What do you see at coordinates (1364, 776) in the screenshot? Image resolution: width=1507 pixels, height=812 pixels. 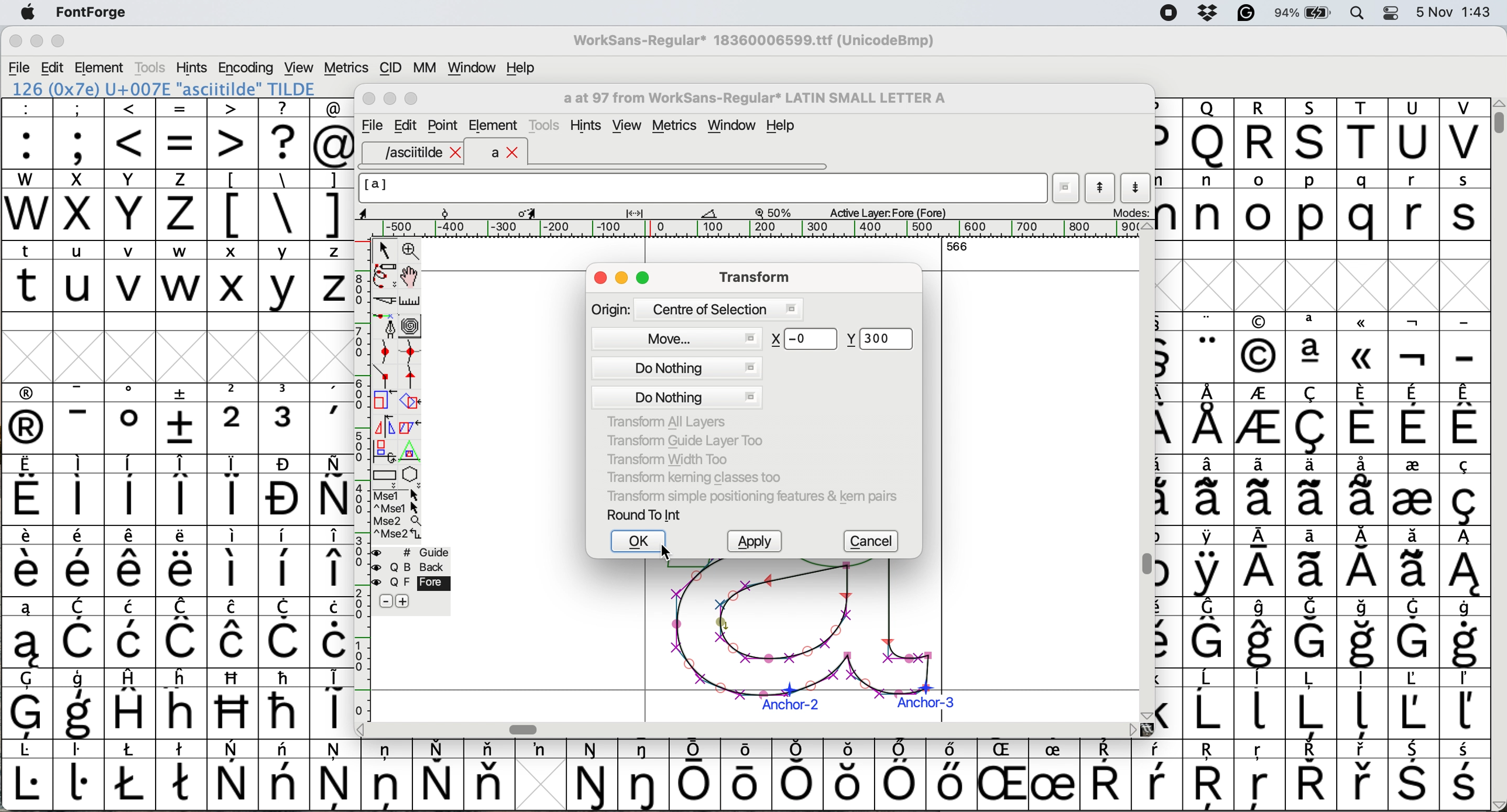 I see `symbol` at bounding box center [1364, 776].